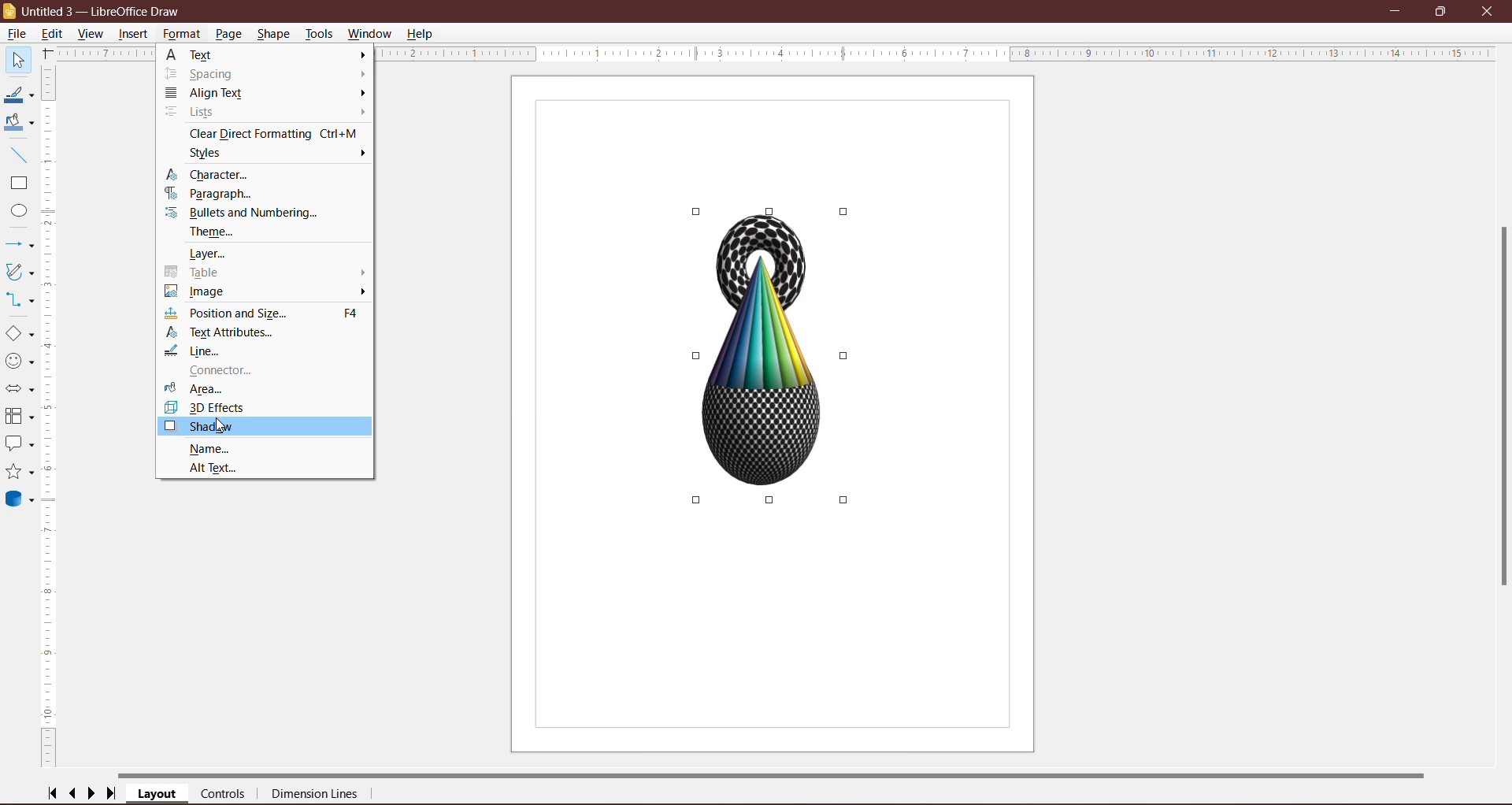 This screenshot has height=805, width=1512. I want to click on selected grouped object, so click(773, 358).